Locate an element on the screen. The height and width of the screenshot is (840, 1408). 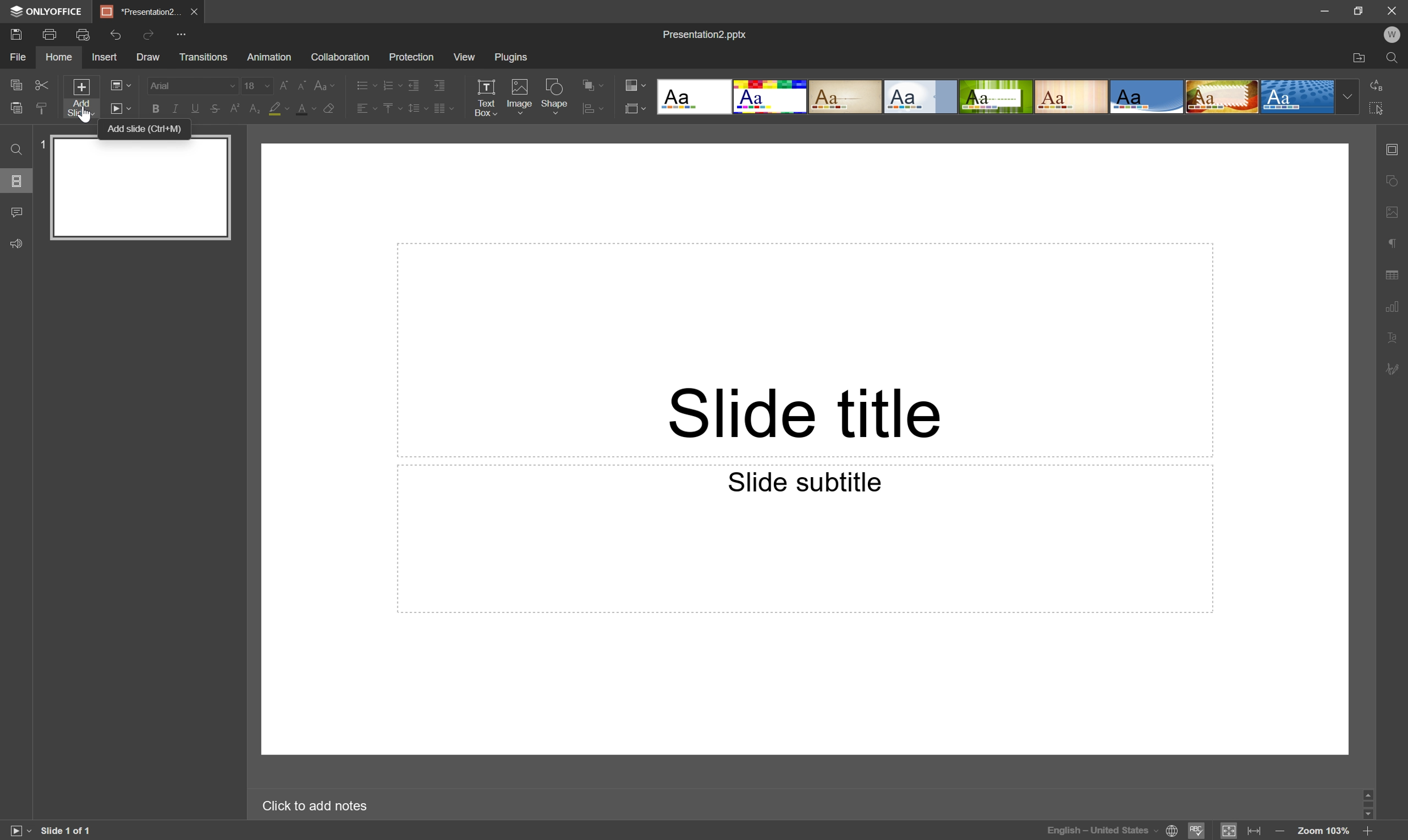
Slide 1 of 1 is located at coordinates (67, 829).